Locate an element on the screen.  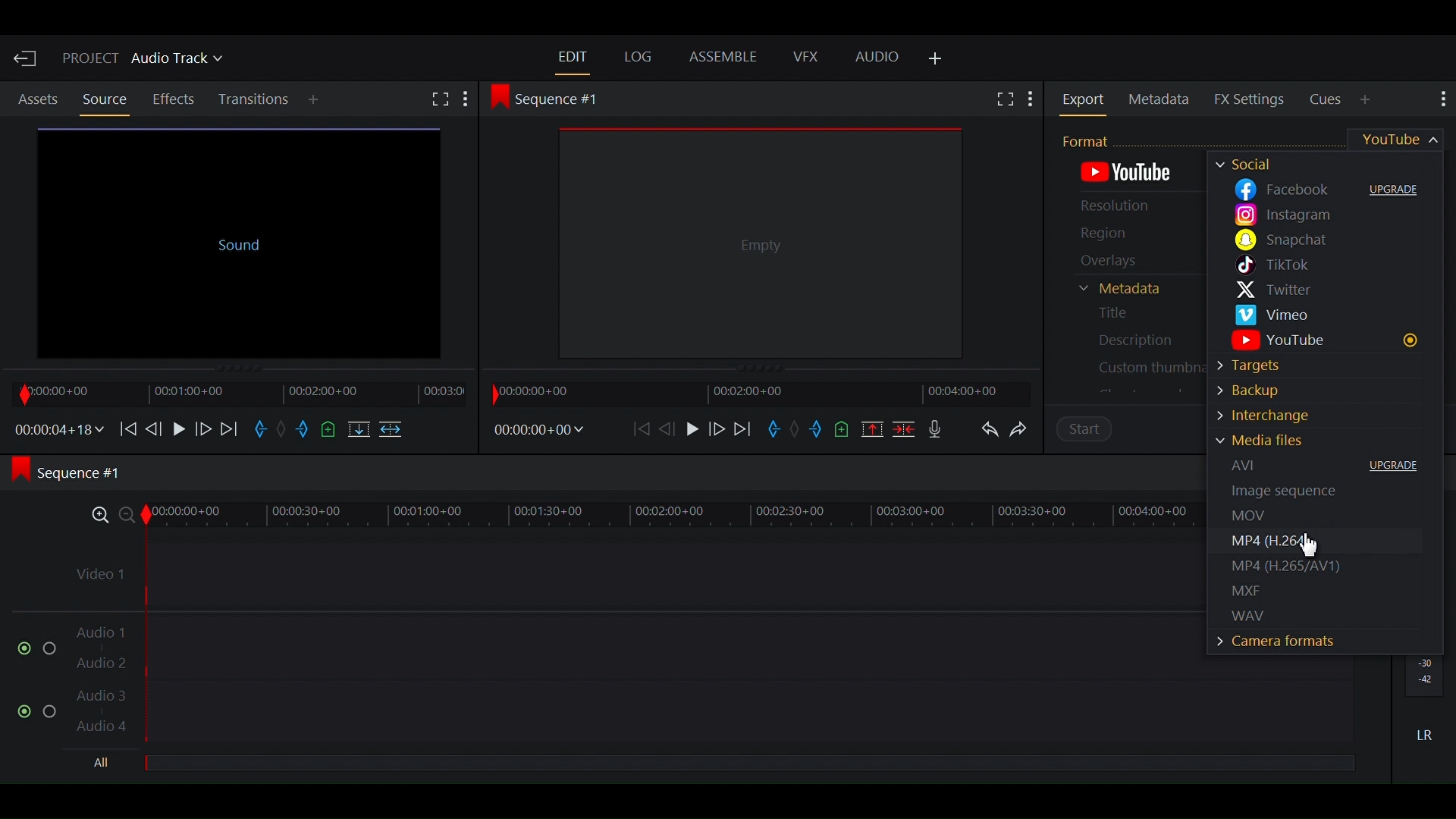
Mark in is located at coordinates (777, 431).